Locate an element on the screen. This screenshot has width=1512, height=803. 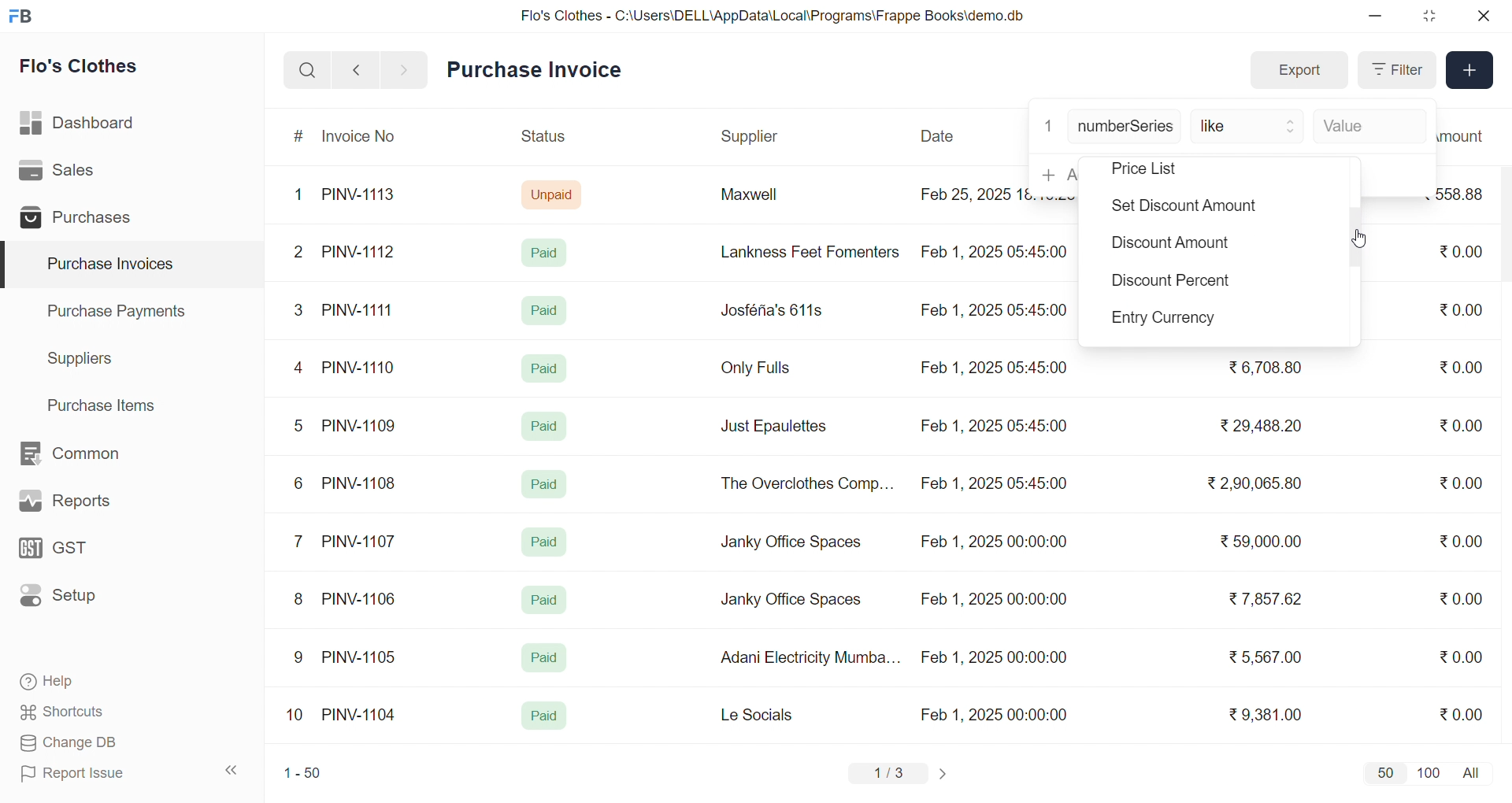
Purchase Invoice is located at coordinates (539, 70).